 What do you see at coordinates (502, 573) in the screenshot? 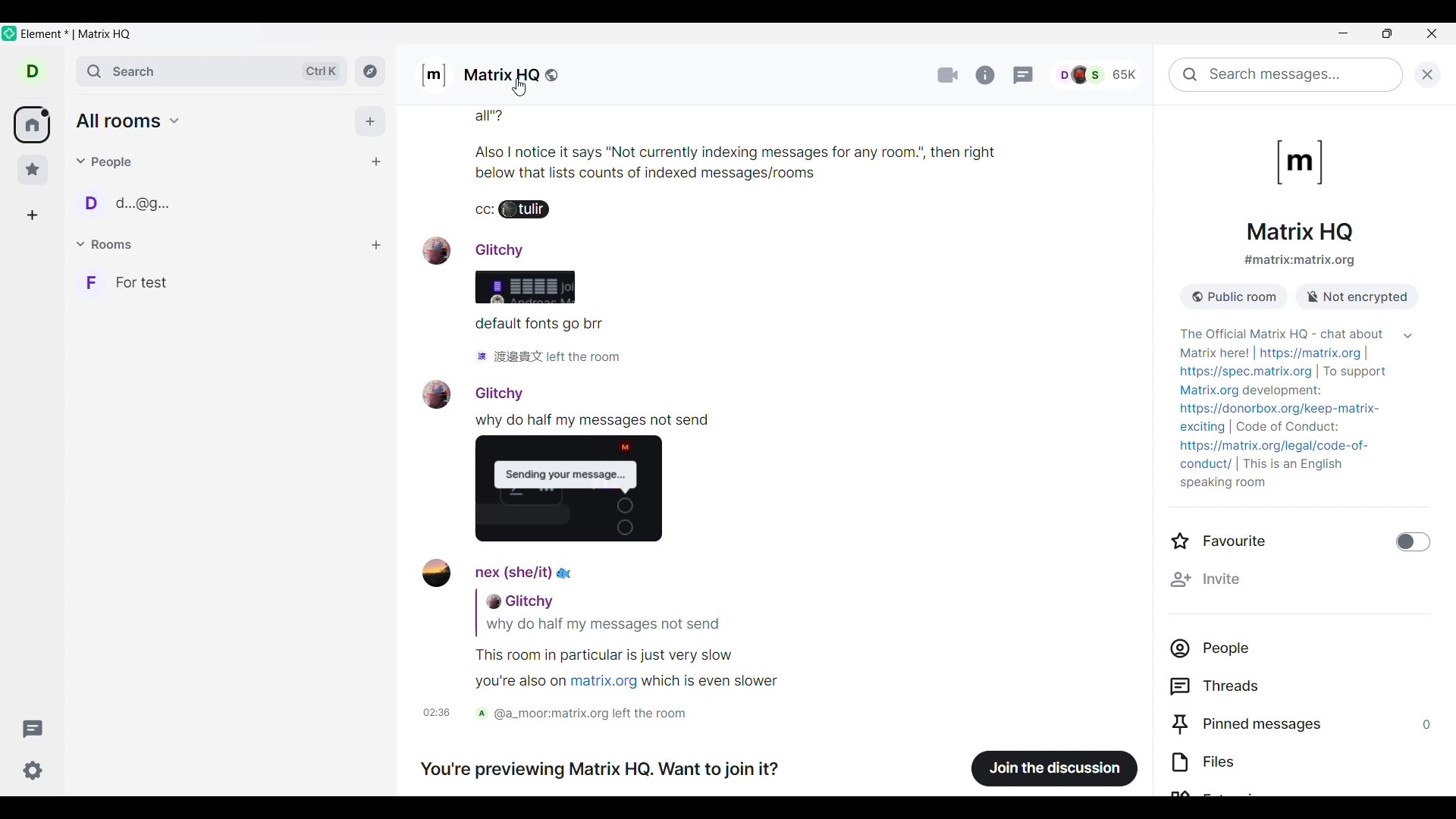
I see `nex (she/it)` at bounding box center [502, 573].